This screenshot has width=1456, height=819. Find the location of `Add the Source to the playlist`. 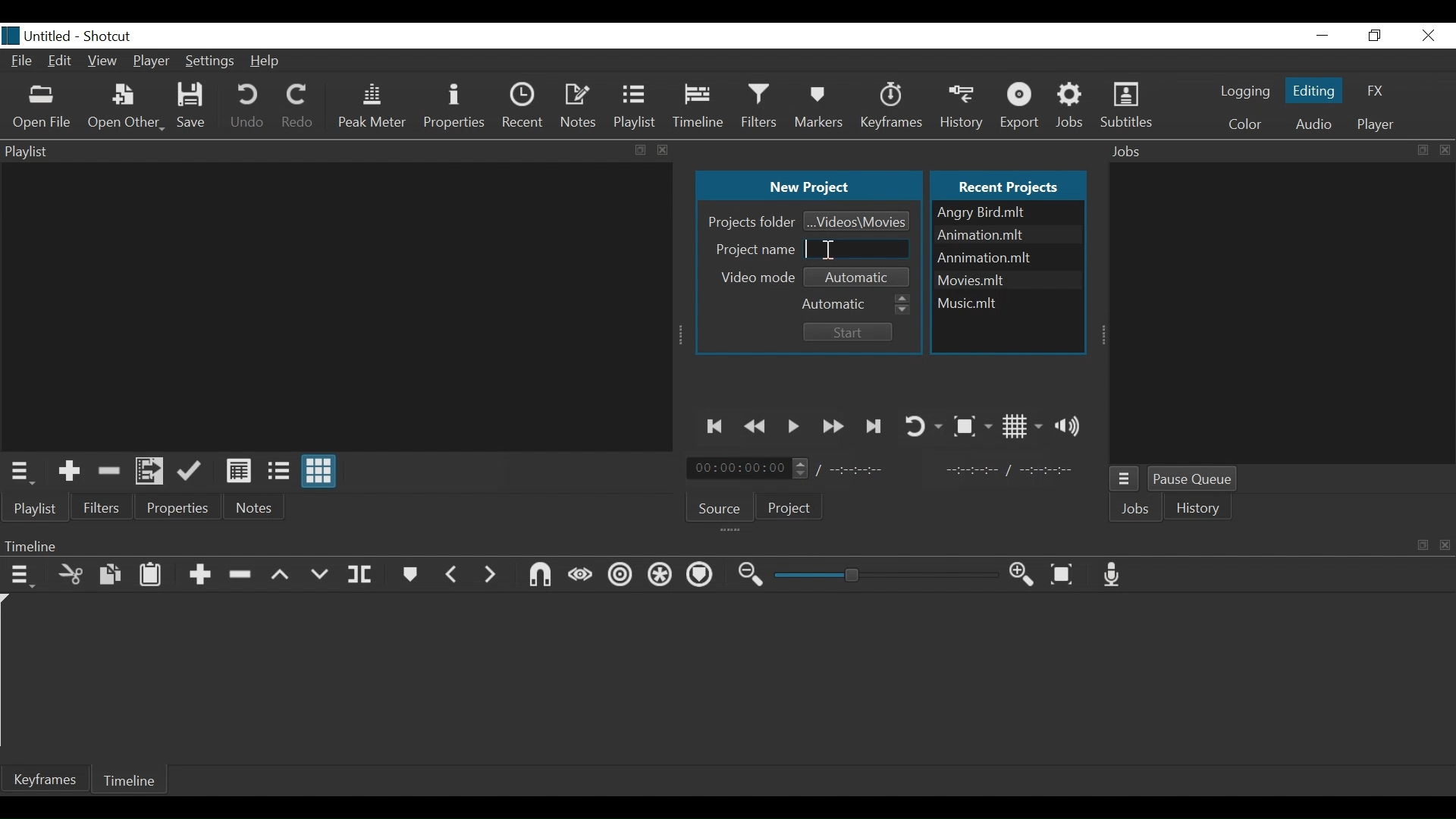

Add the Source to the playlist is located at coordinates (69, 471).